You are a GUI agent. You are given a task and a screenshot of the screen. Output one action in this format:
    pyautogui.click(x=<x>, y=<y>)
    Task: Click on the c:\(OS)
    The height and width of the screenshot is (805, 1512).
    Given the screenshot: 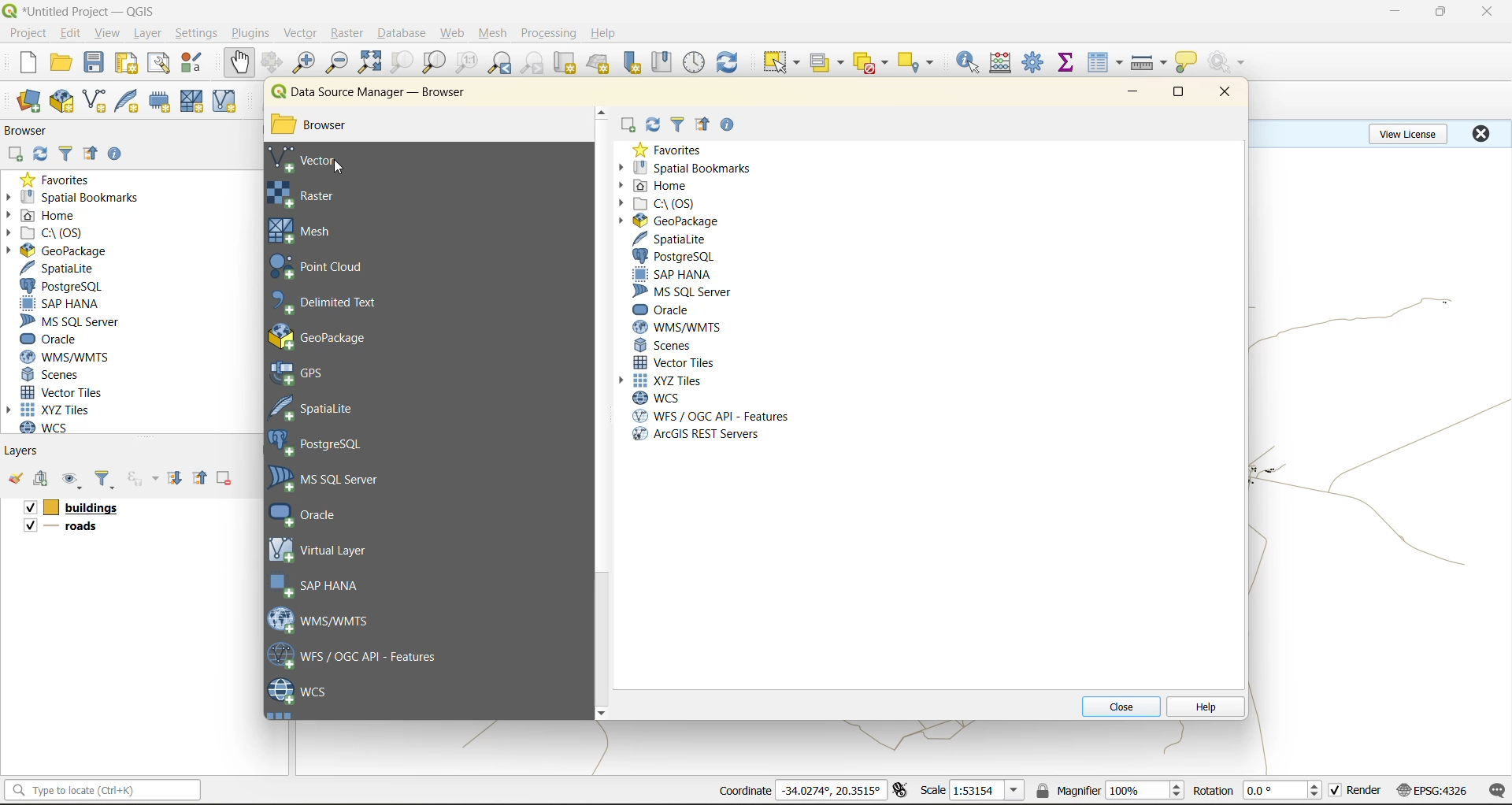 What is the action you would take?
    pyautogui.click(x=658, y=204)
    